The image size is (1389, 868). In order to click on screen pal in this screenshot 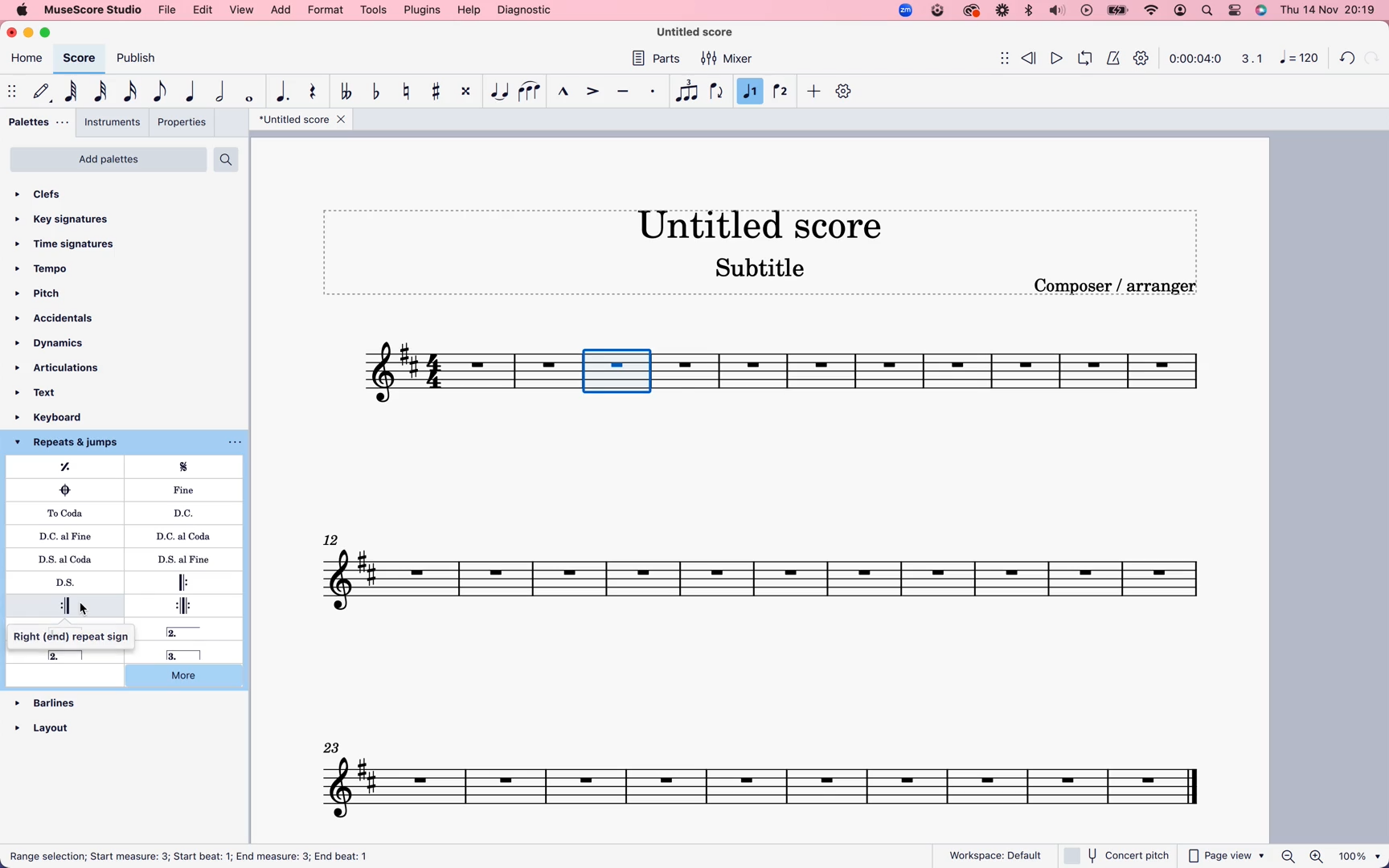, I will do `click(936, 12)`.